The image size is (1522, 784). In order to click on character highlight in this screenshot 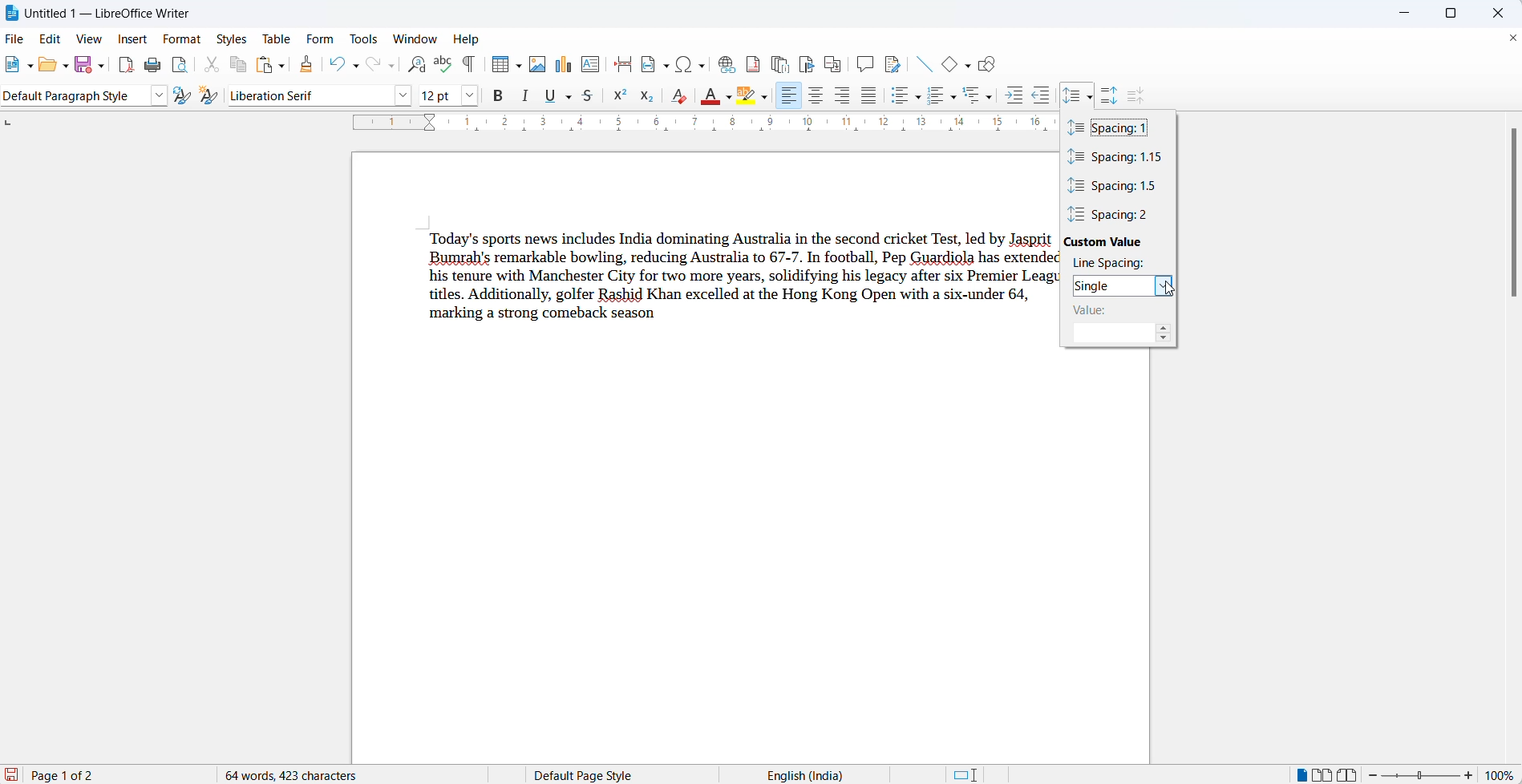, I will do `click(745, 95)`.